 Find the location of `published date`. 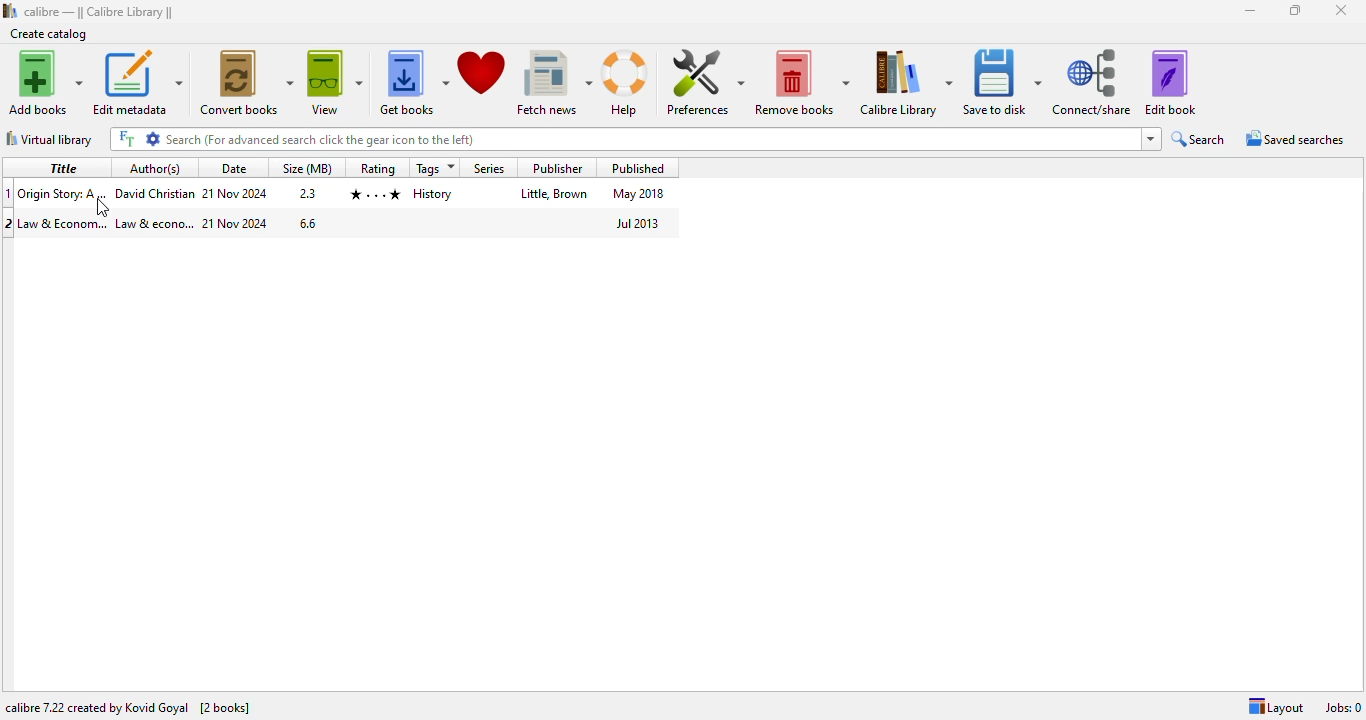

published date is located at coordinates (639, 223).